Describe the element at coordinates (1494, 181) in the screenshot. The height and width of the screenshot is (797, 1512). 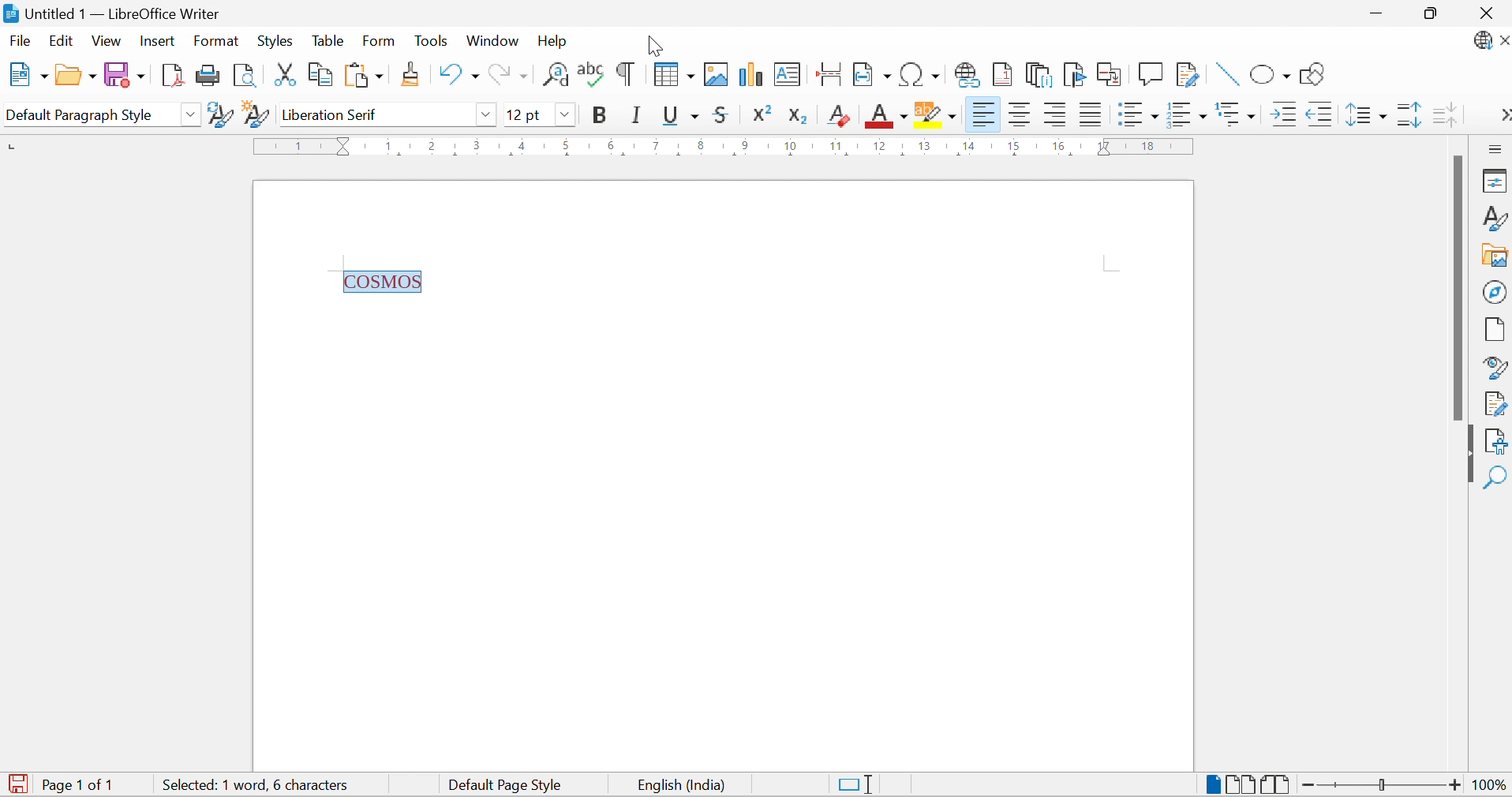
I see `Properties` at that location.